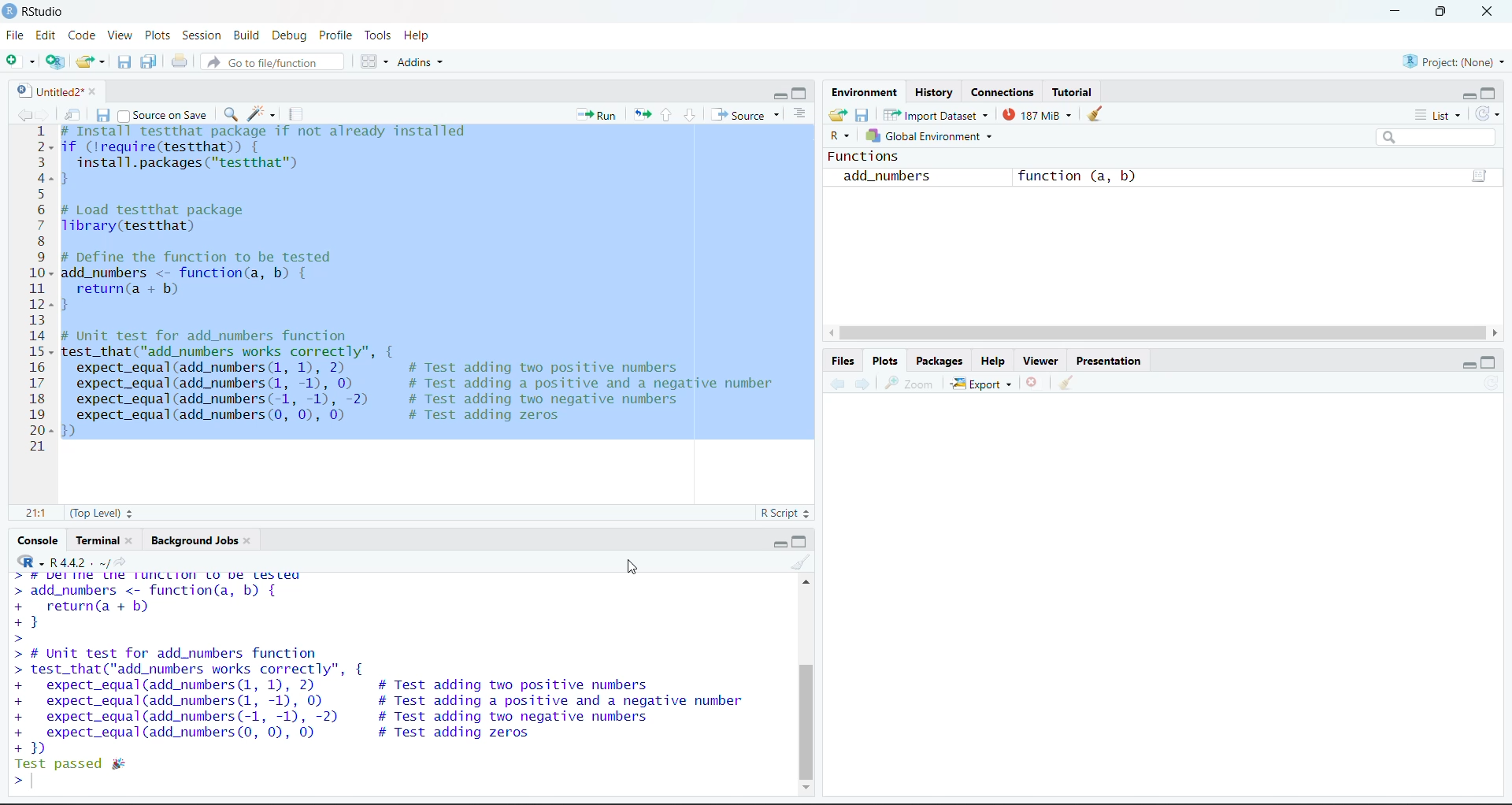  What do you see at coordinates (24, 115) in the screenshot?
I see `previous` at bounding box center [24, 115].